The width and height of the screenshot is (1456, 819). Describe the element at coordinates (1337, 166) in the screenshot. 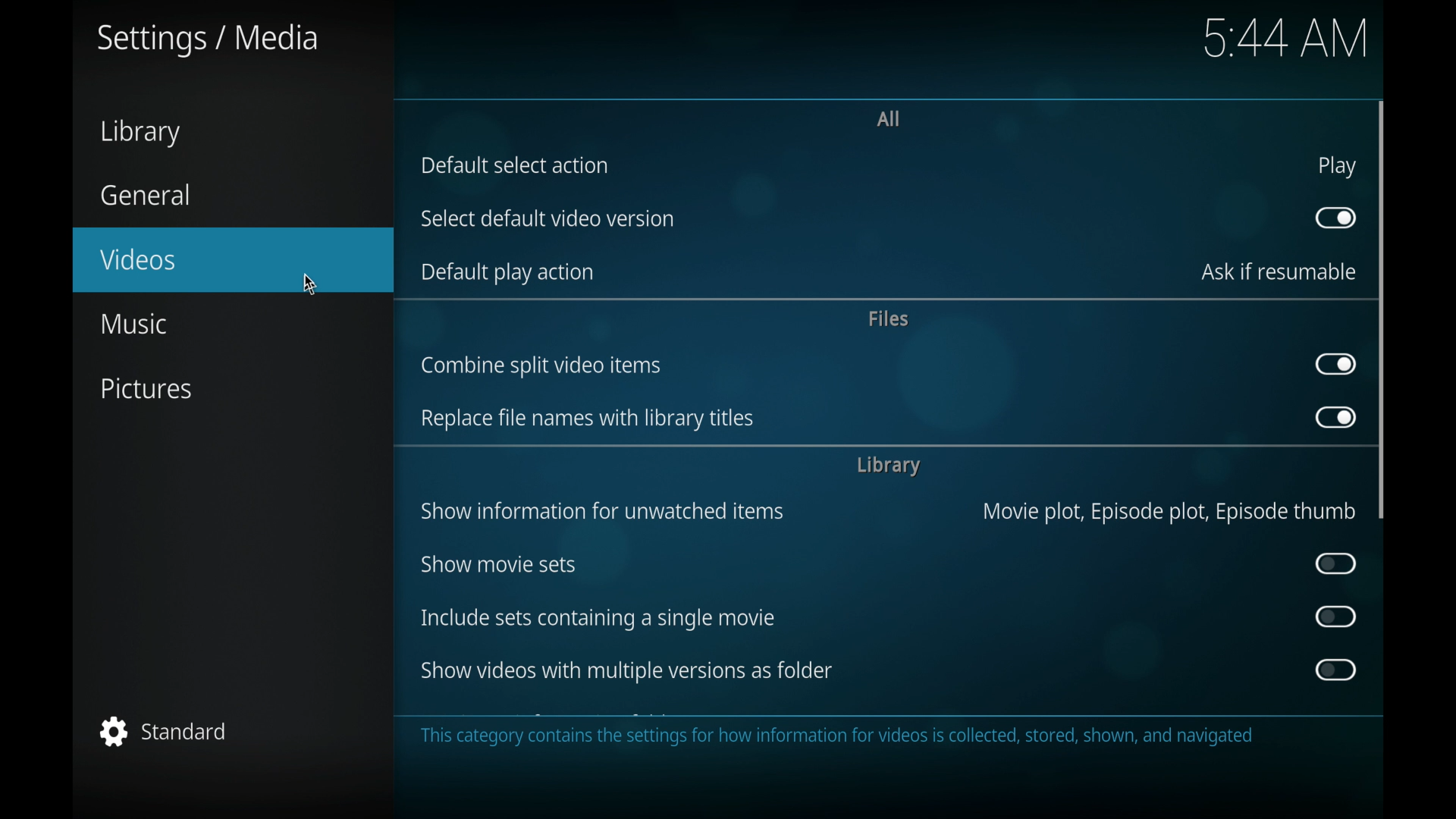

I see `play` at that location.